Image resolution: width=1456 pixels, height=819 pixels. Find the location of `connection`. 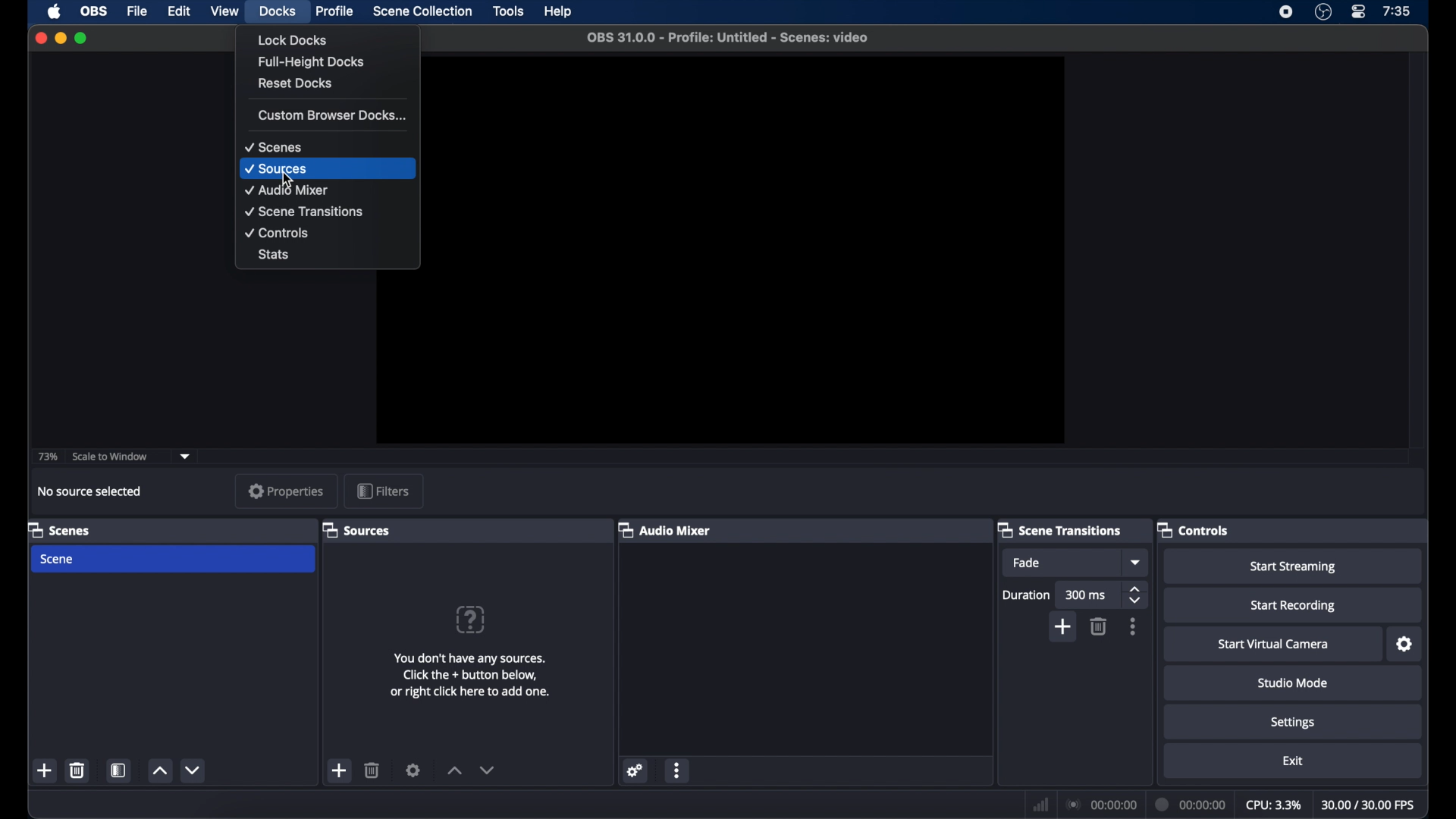

connection is located at coordinates (1103, 805).